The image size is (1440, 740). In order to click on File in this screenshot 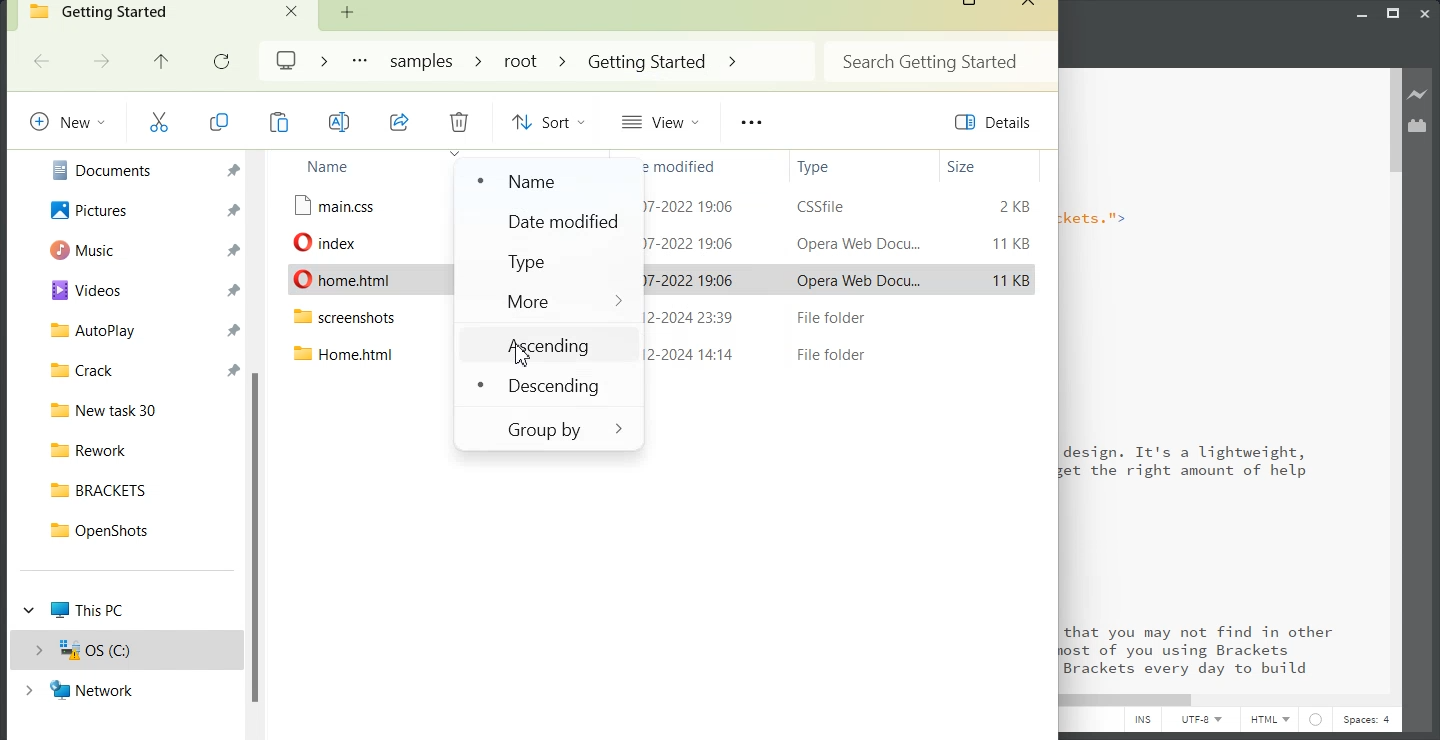, I will do `click(370, 280)`.